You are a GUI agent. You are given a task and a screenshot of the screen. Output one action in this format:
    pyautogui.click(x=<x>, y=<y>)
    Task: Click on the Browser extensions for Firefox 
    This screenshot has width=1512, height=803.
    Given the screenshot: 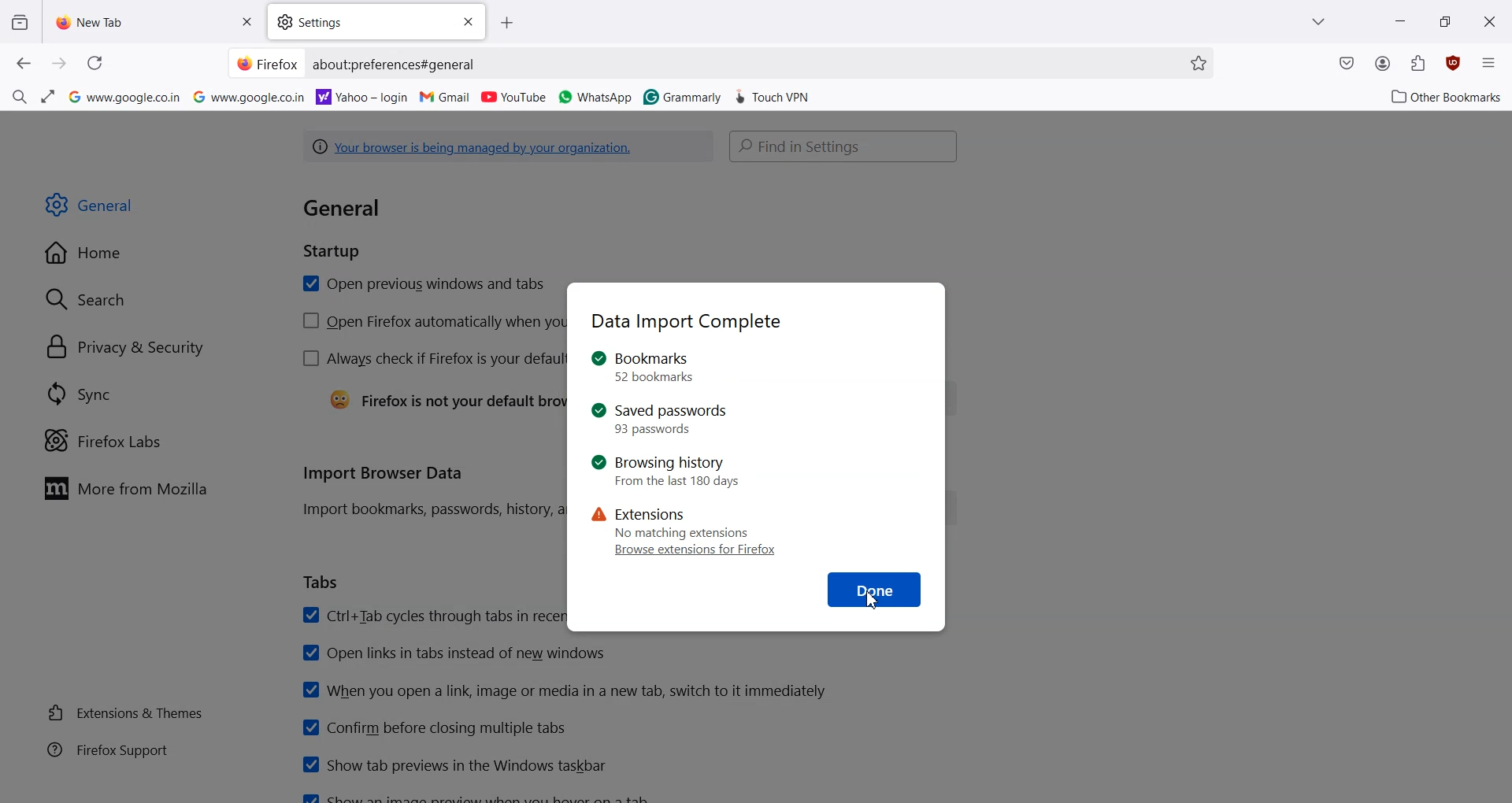 What is the action you would take?
    pyautogui.click(x=697, y=551)
    